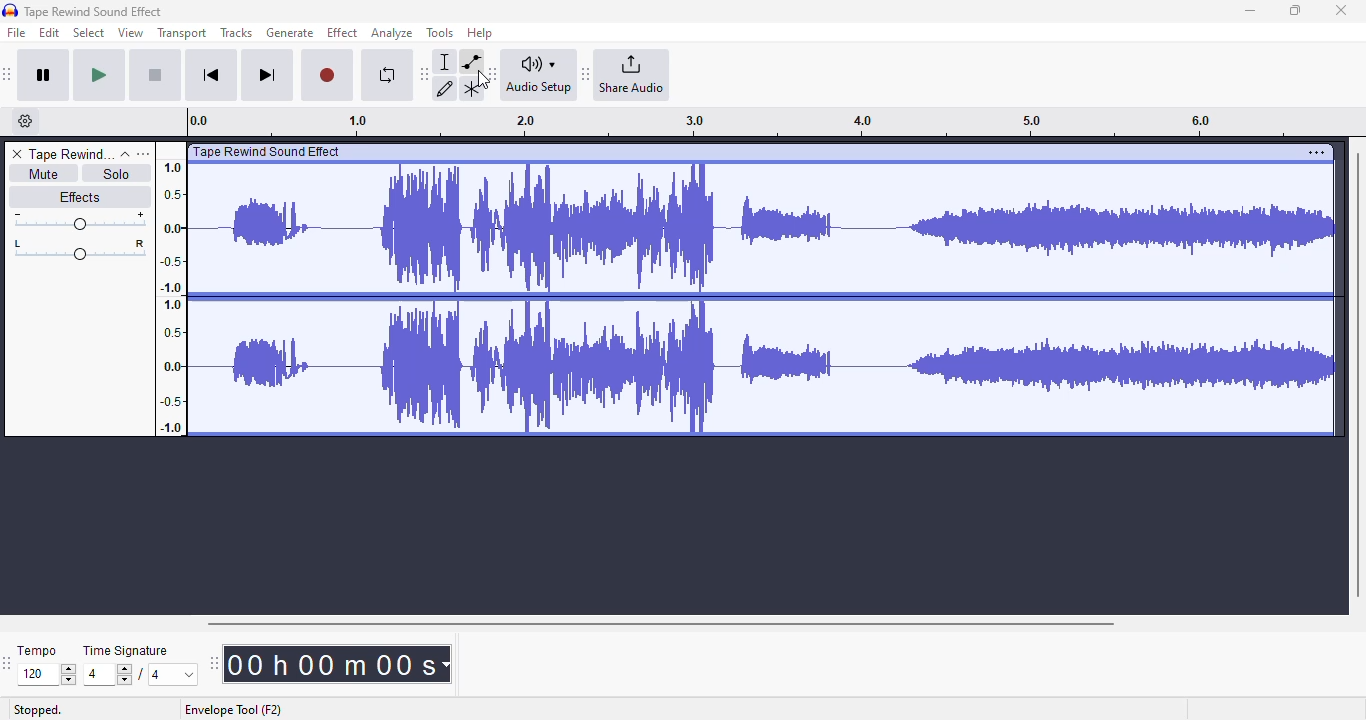 The image size is (1366, 720). Describe the element at coordinates (17, 154) in the screenshot. I see `delete track` at that location.